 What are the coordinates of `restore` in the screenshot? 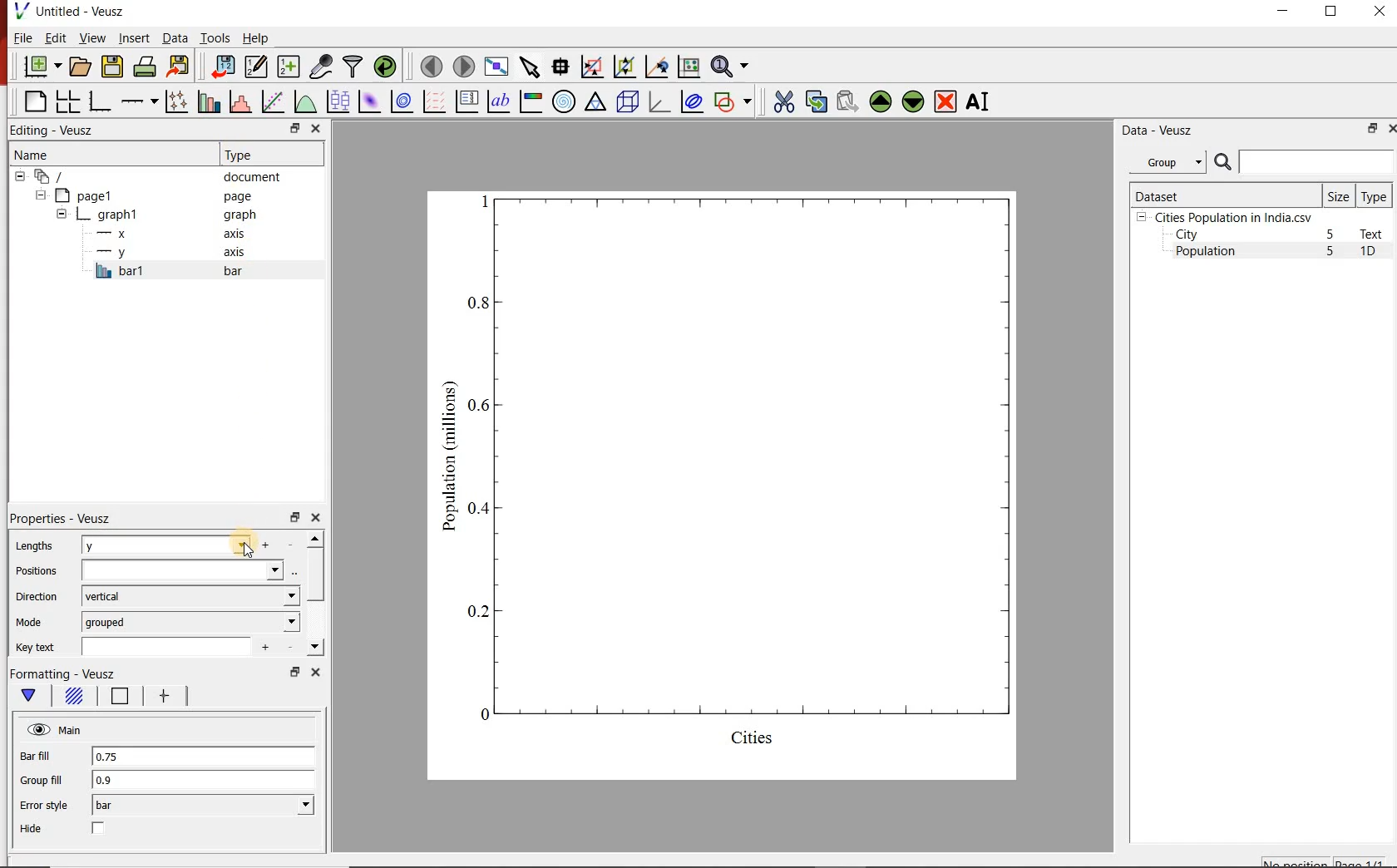 It's located at (294, 672).